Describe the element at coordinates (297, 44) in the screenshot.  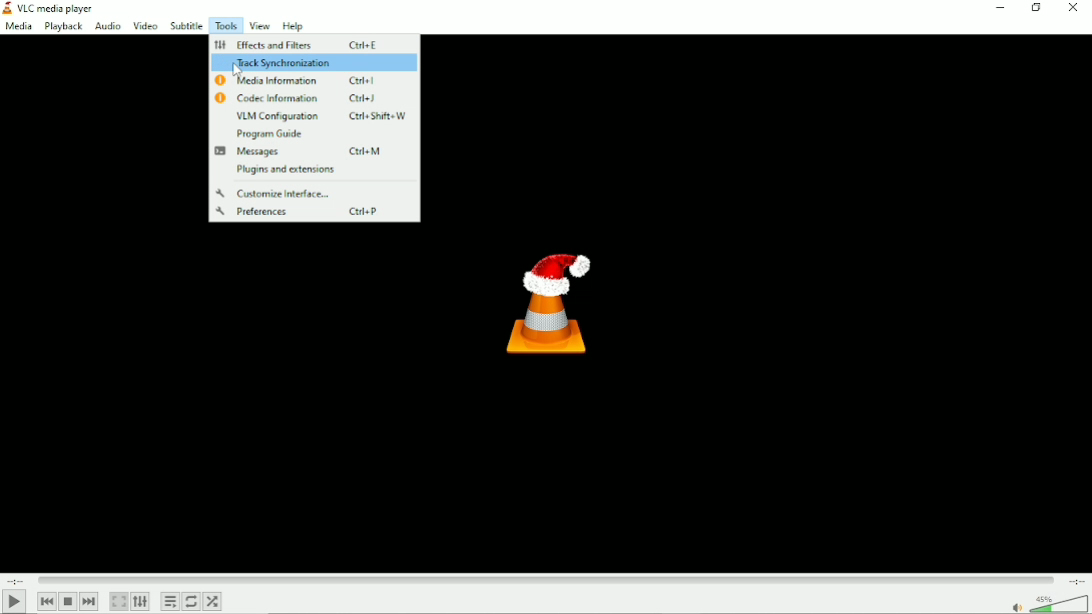
I see `effects and filters` at that location.